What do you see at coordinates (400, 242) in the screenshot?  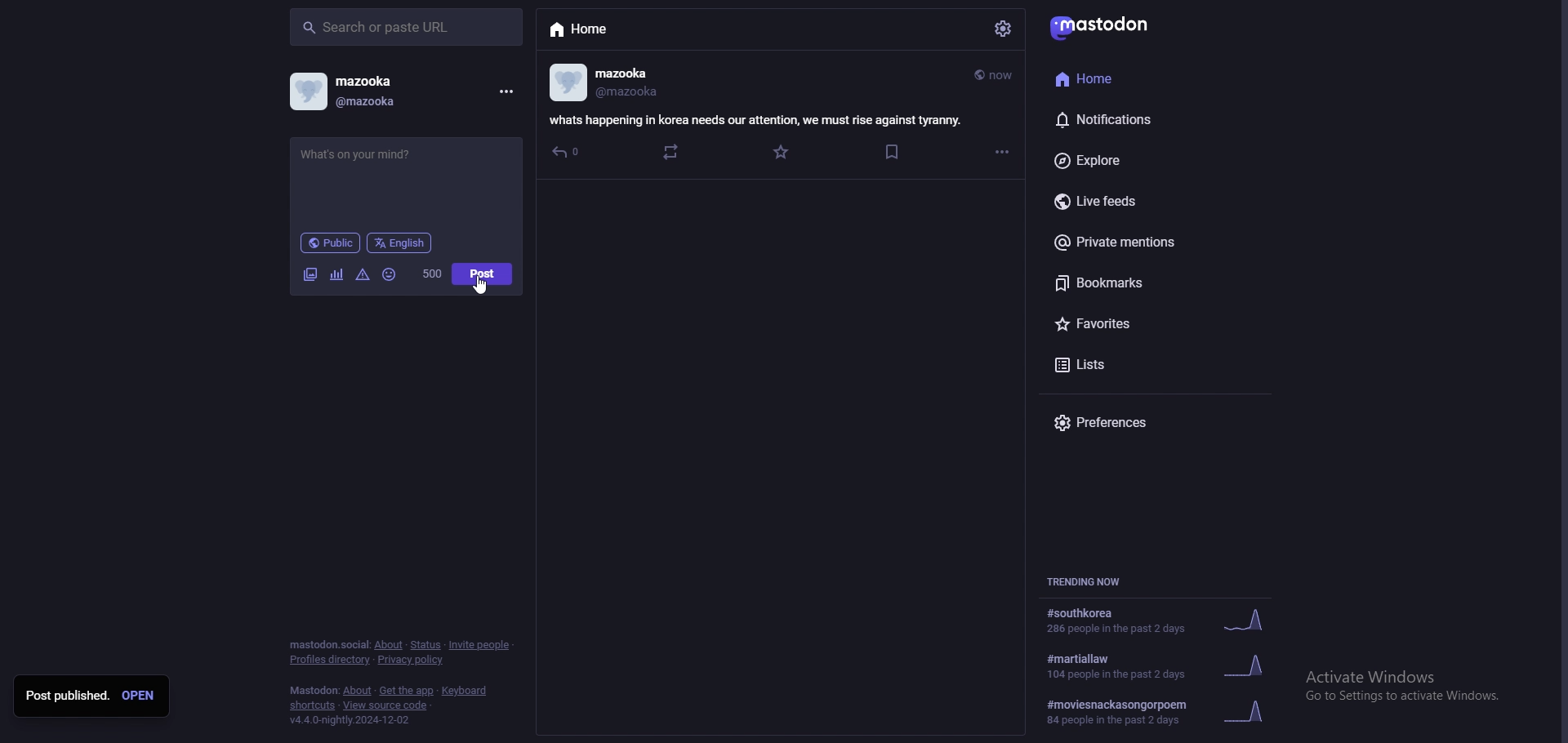 I see `language` at bounding box center [400, 242].